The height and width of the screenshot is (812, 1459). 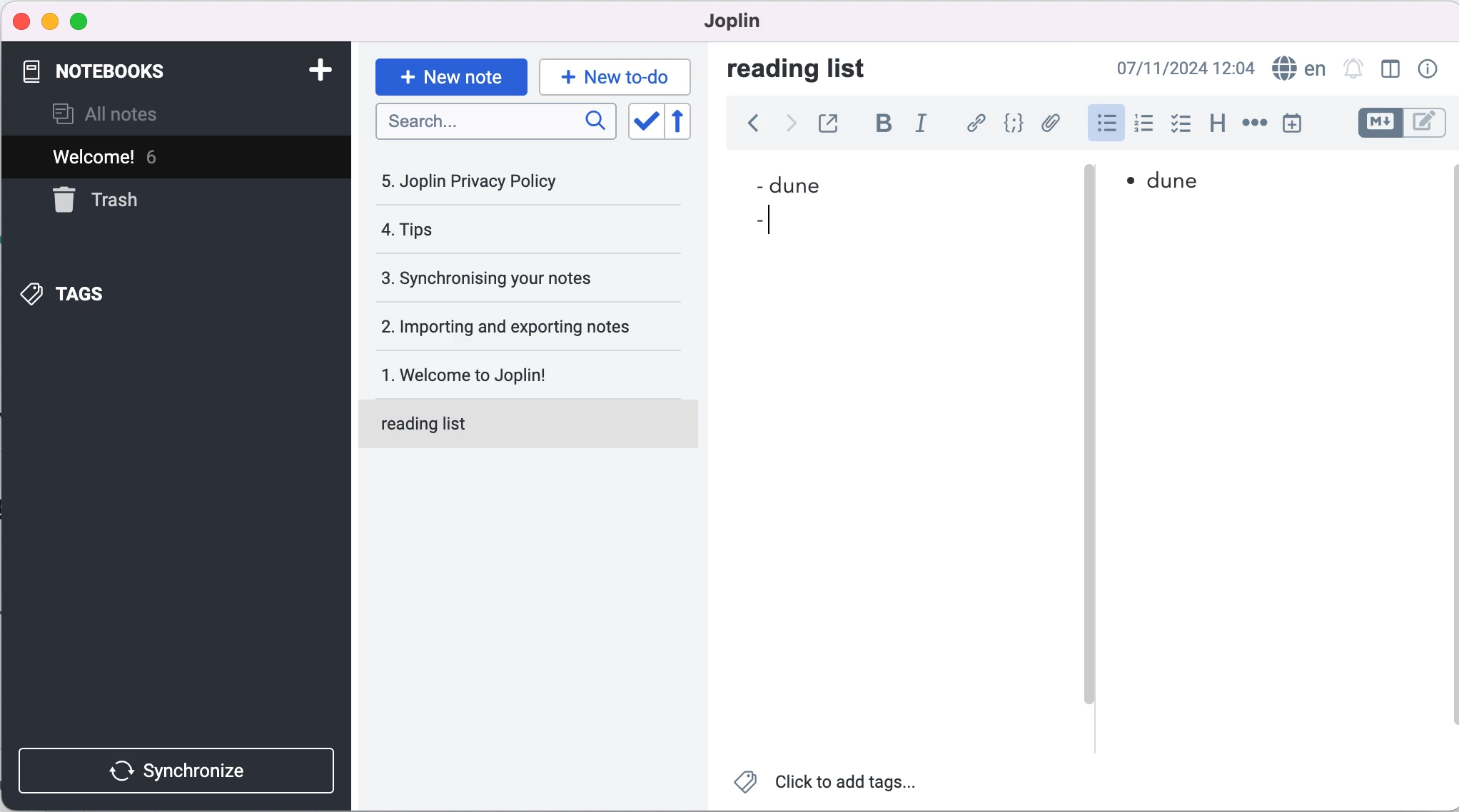 What do you see at coordinates (158, 158) in the screenshot?
I see `welcome! 6` at bounding box center [158, 158].